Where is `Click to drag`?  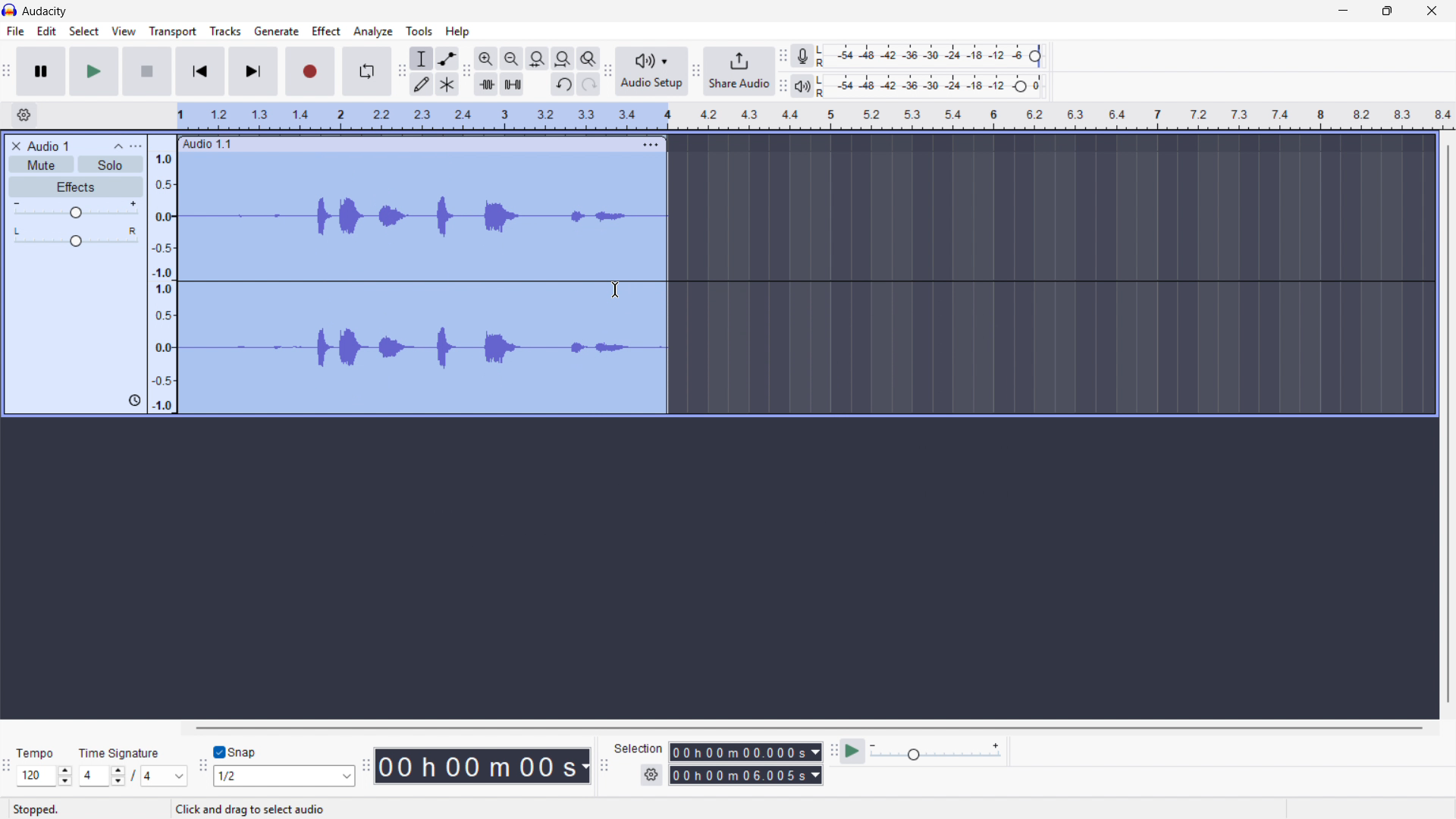
Click to drag is located at coordinates (407, 143).